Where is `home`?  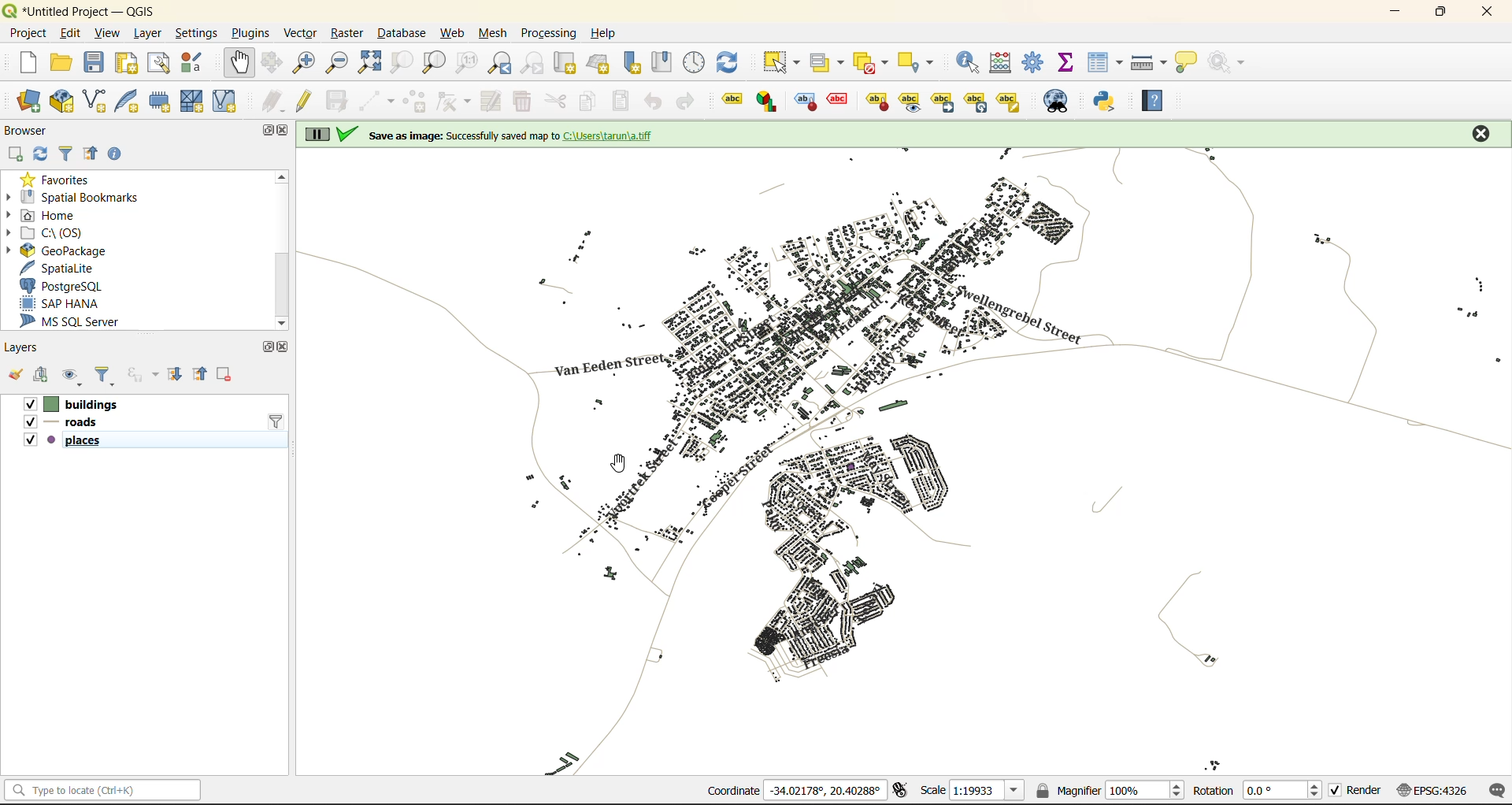 home is located at coordinates (46, 214).